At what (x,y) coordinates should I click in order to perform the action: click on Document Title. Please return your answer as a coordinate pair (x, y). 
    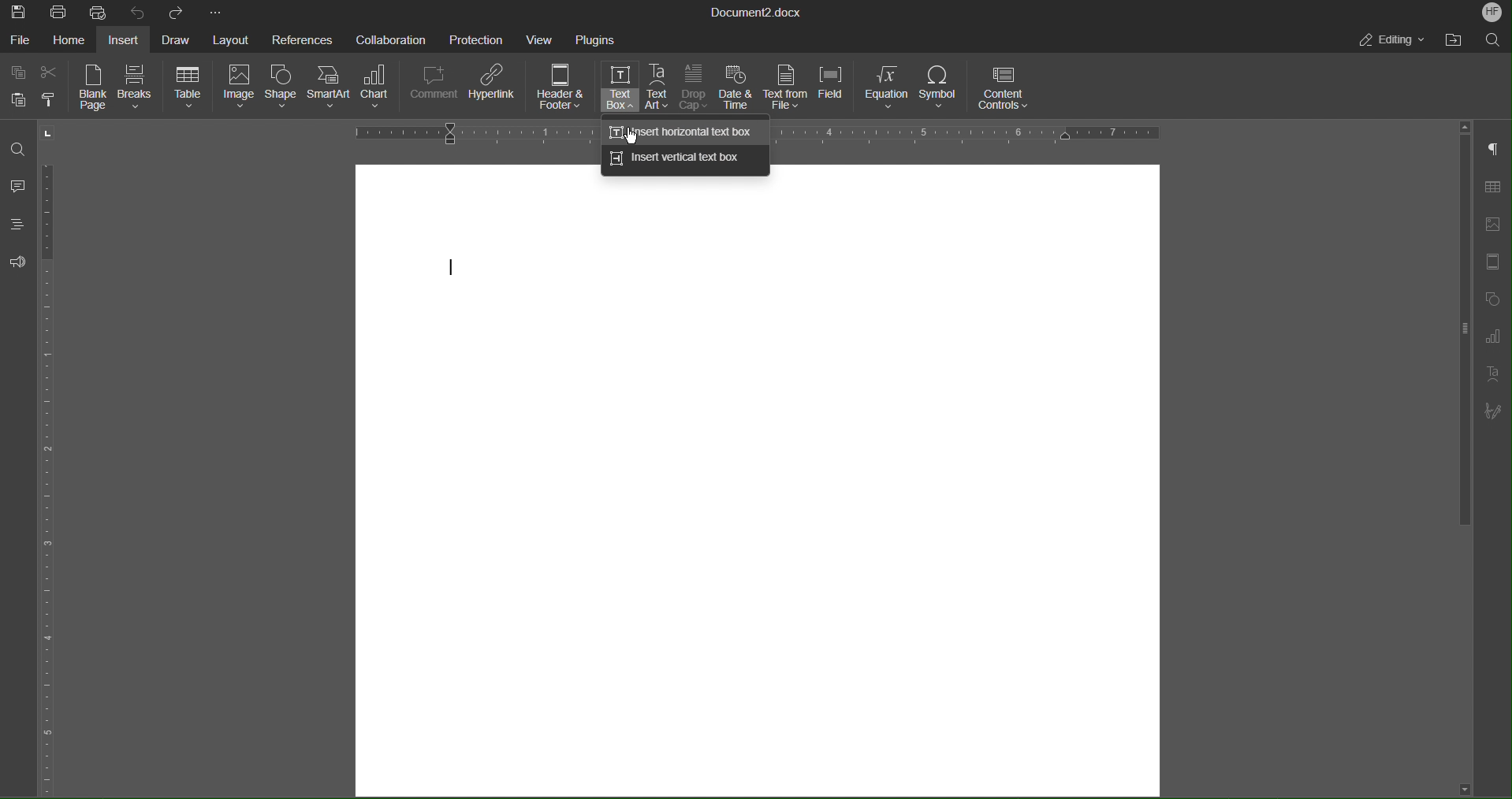
    Looking at the image, I should click on (757, 11).